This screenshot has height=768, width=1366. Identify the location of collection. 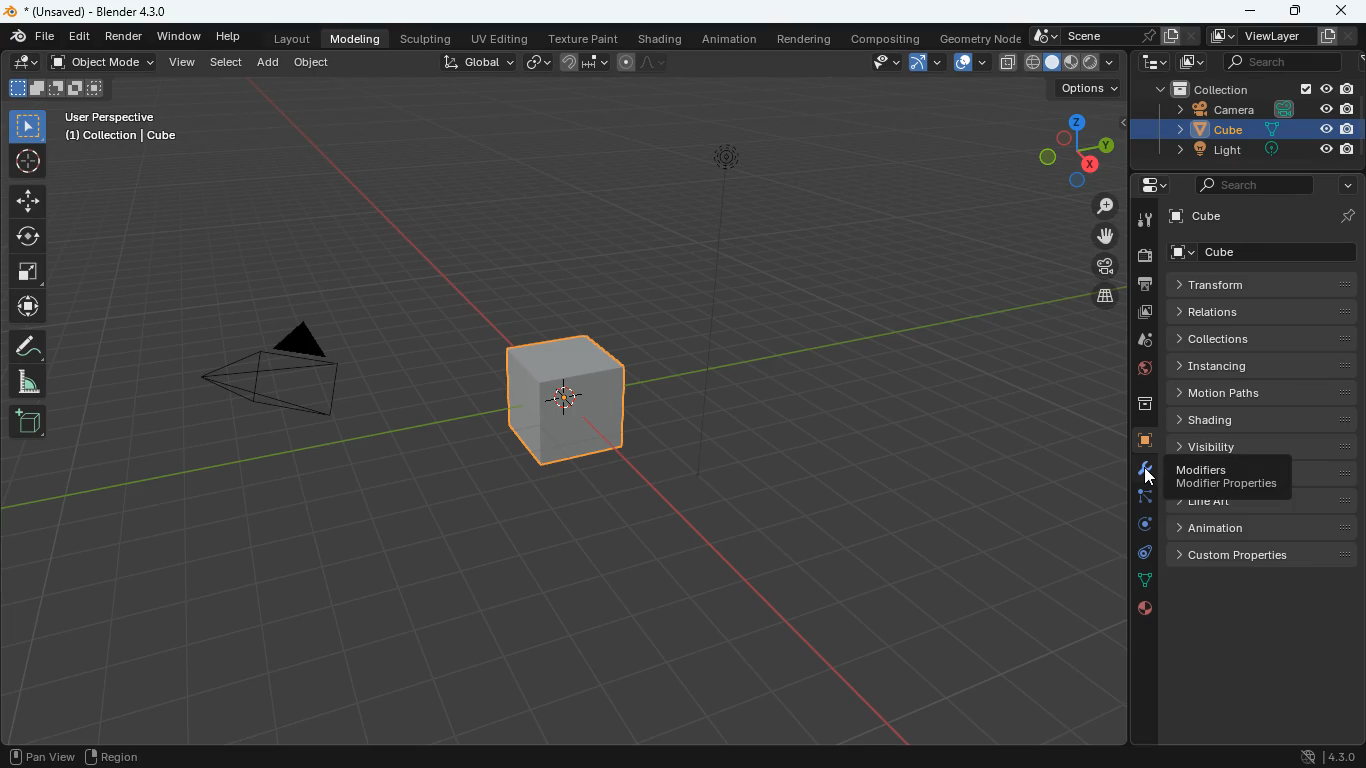
(1248, 88).